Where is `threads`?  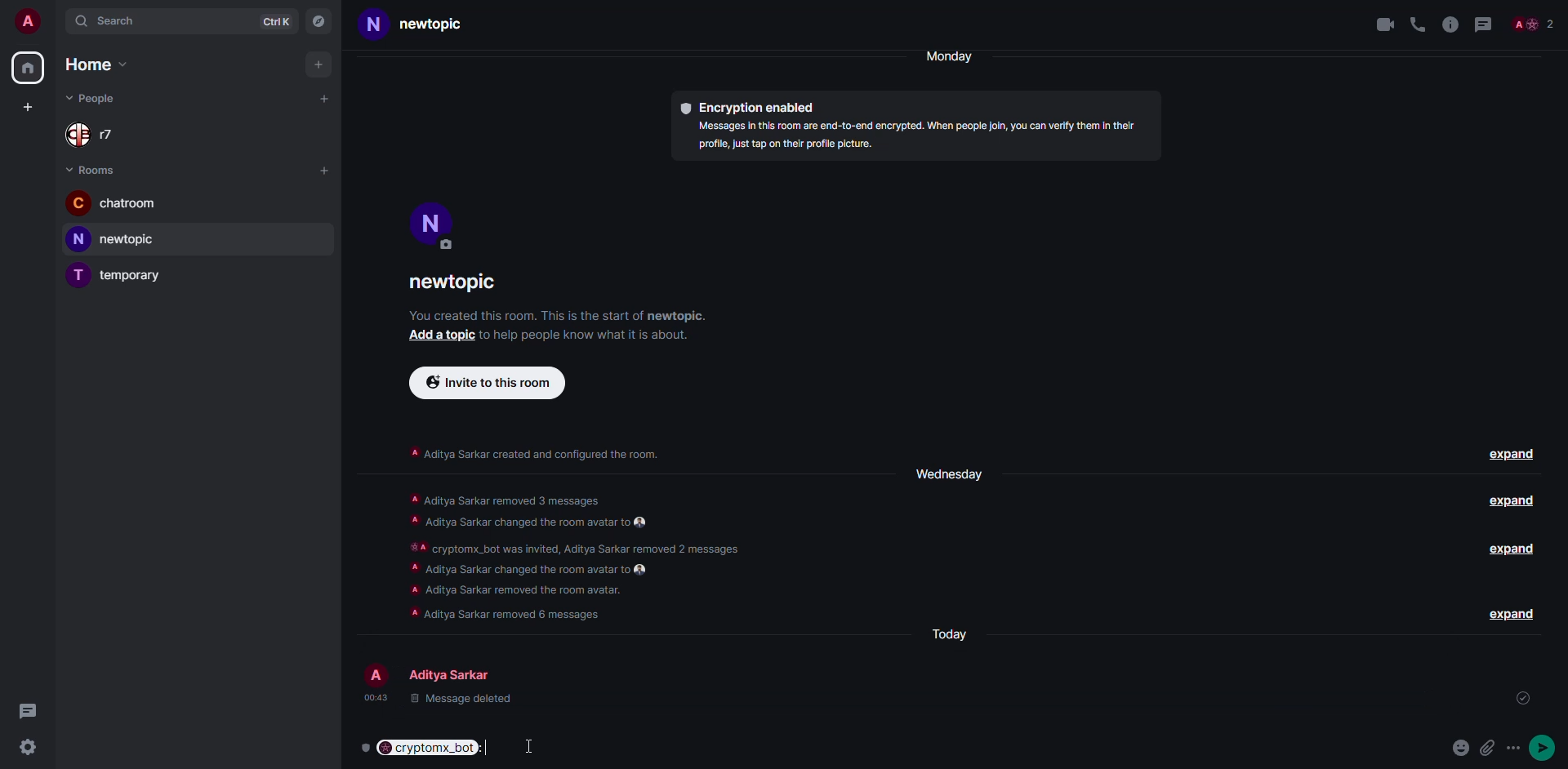 threads is located at coordinates (27, 709).